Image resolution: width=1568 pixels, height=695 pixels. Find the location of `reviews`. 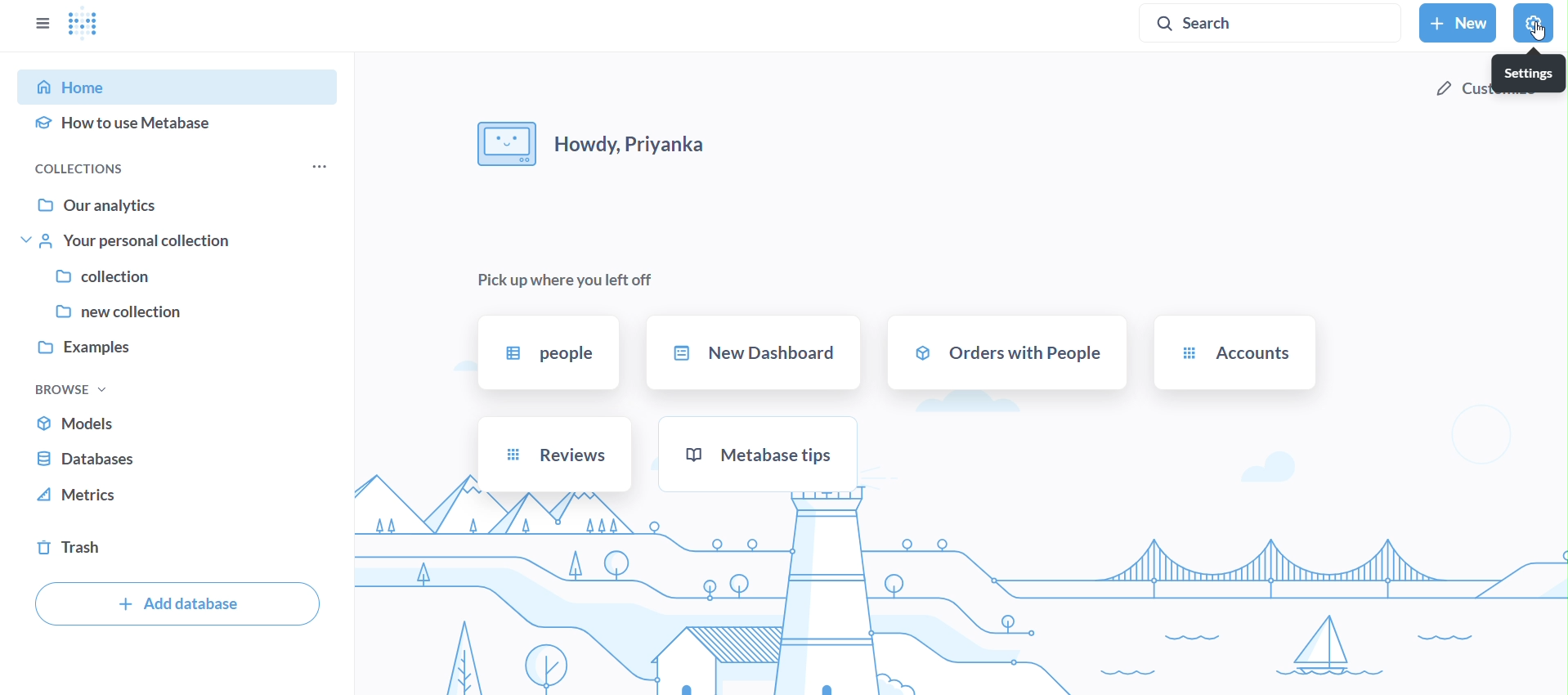

reviews is located at coordinates (553, 455).